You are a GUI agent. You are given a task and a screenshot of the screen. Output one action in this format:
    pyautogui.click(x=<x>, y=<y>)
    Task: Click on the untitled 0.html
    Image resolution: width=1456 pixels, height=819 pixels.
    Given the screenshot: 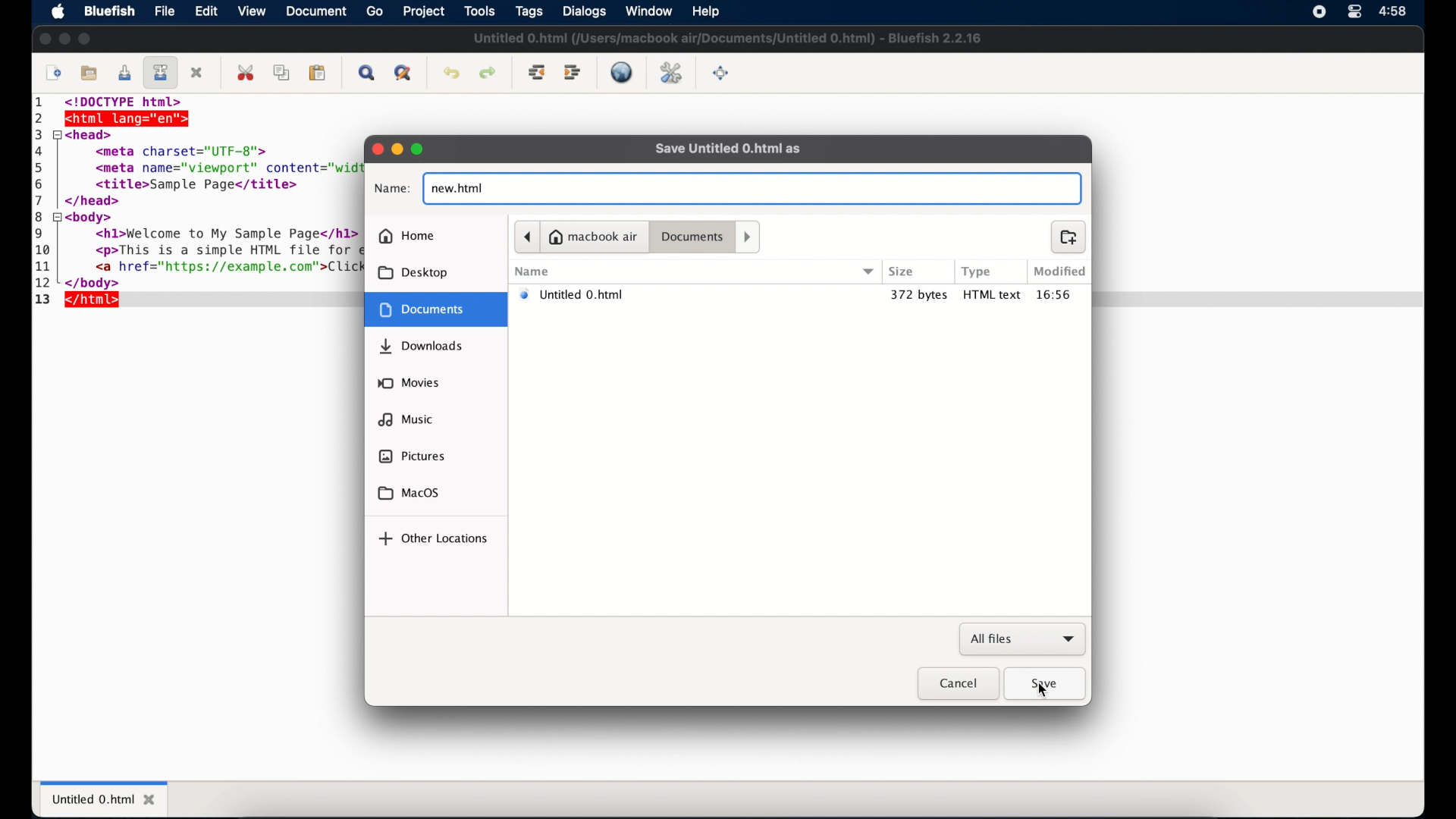 What is the action you would take?
    pyautogui.click(x=693, y=294)
    